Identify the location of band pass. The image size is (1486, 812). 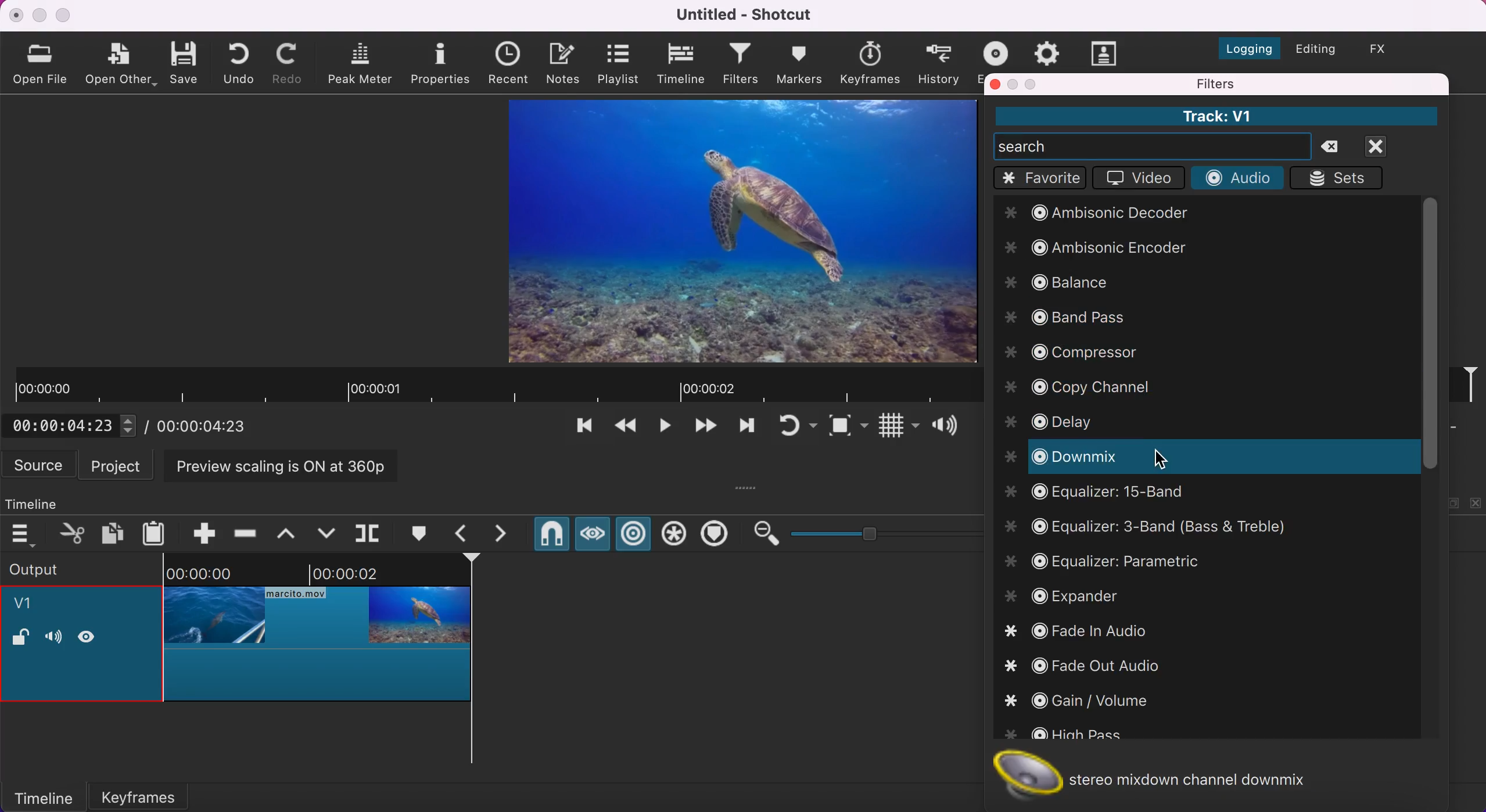
(1064, 318).